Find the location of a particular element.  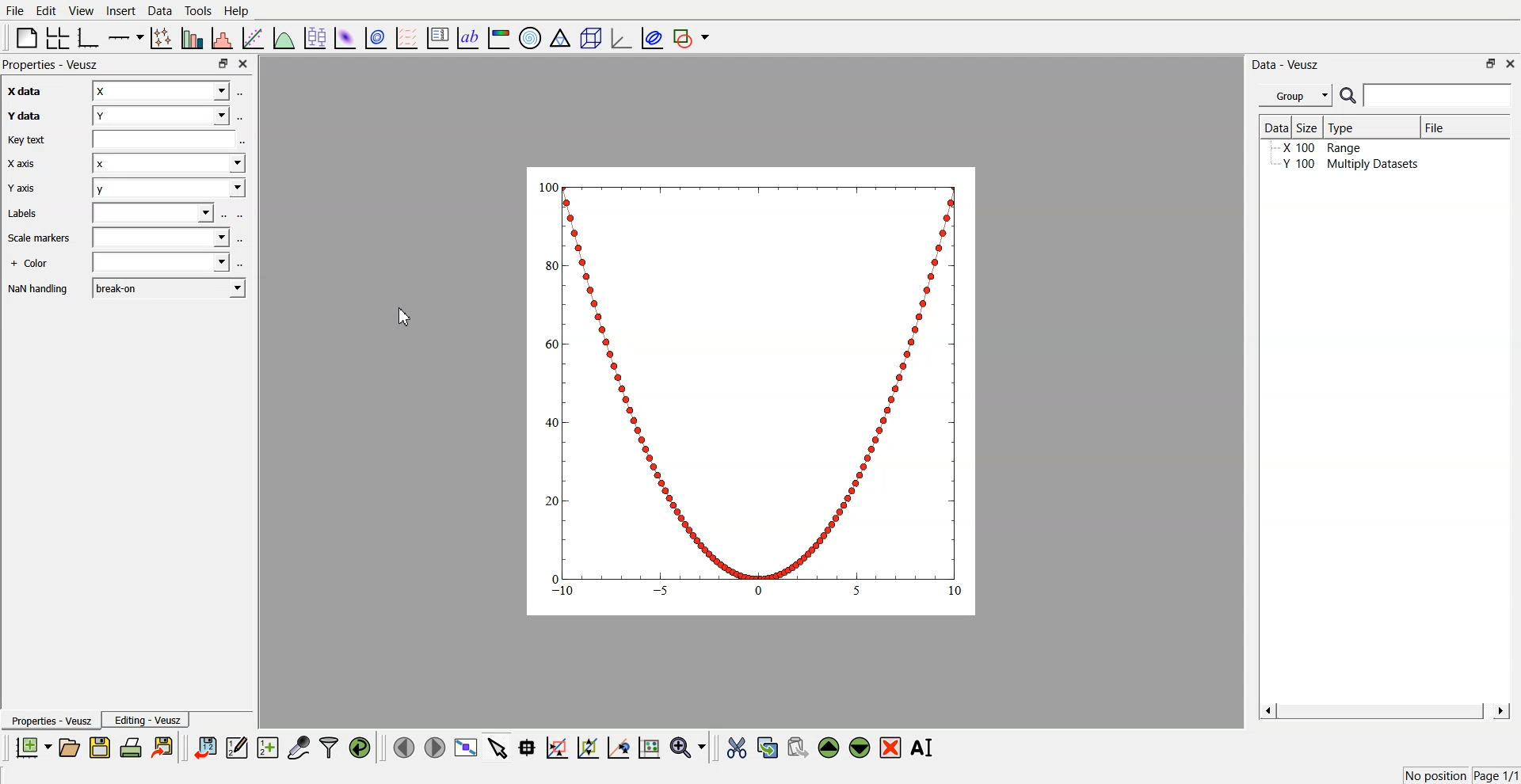

X 100 Range is located at coordinates (1325, 150).